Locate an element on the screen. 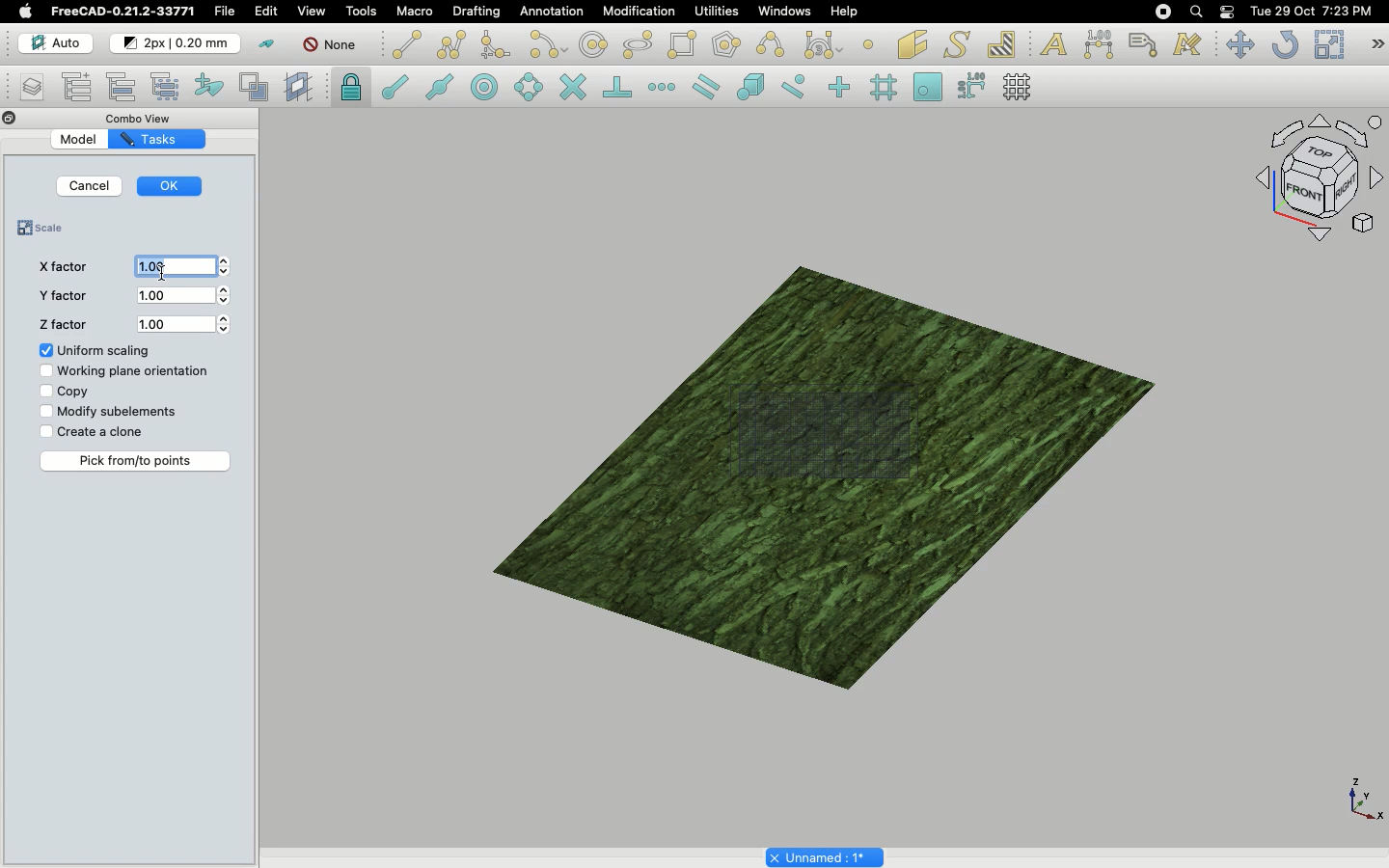 Image resolution: width=1389 pixels, height=868 pixels. Combo view is located at coordinates (143, 116).